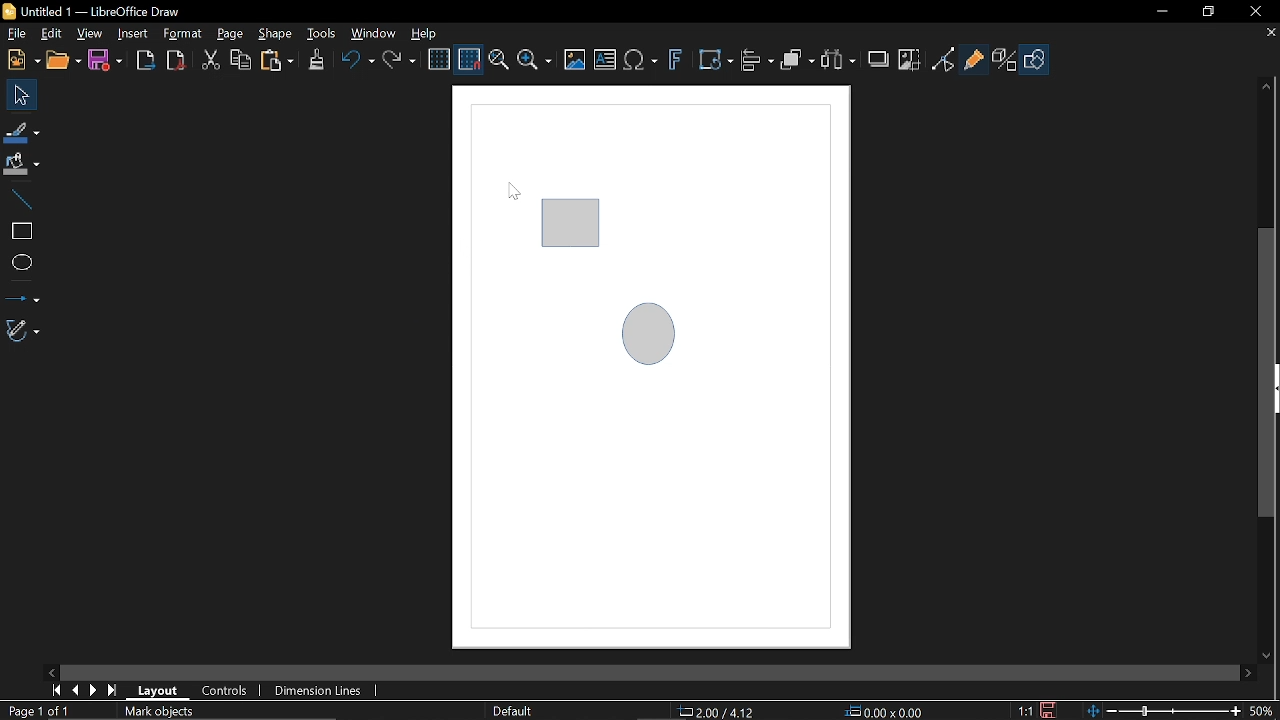 The width and height of the screenshot is (1280, 720). Describe the element at coordinates (145, 63) in the screenshot. I see `Export` at that location.